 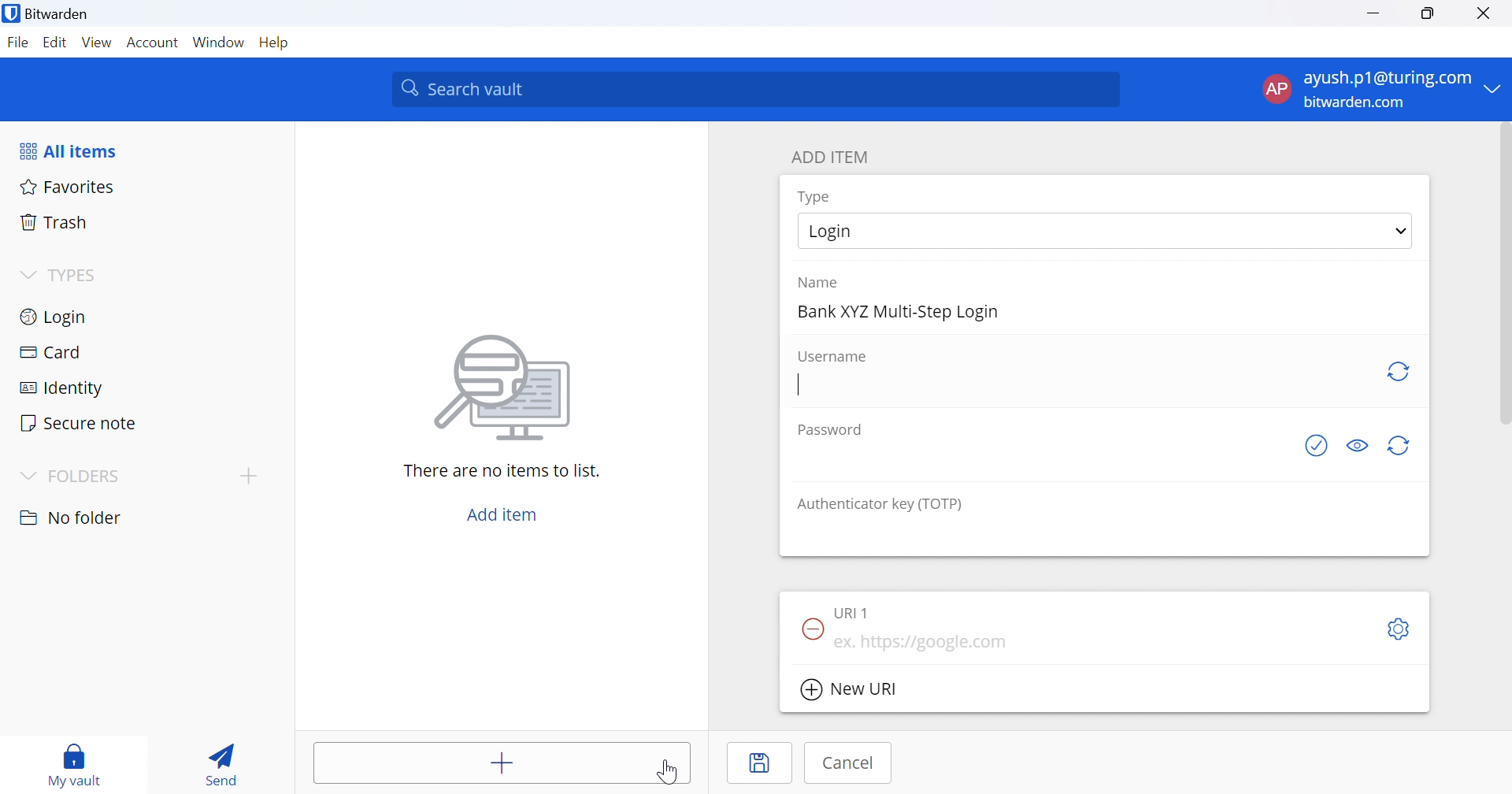 What do you see at coordinates (810, 627) in the screenshot?
I see `Remove` at bounding box center [810, 627].